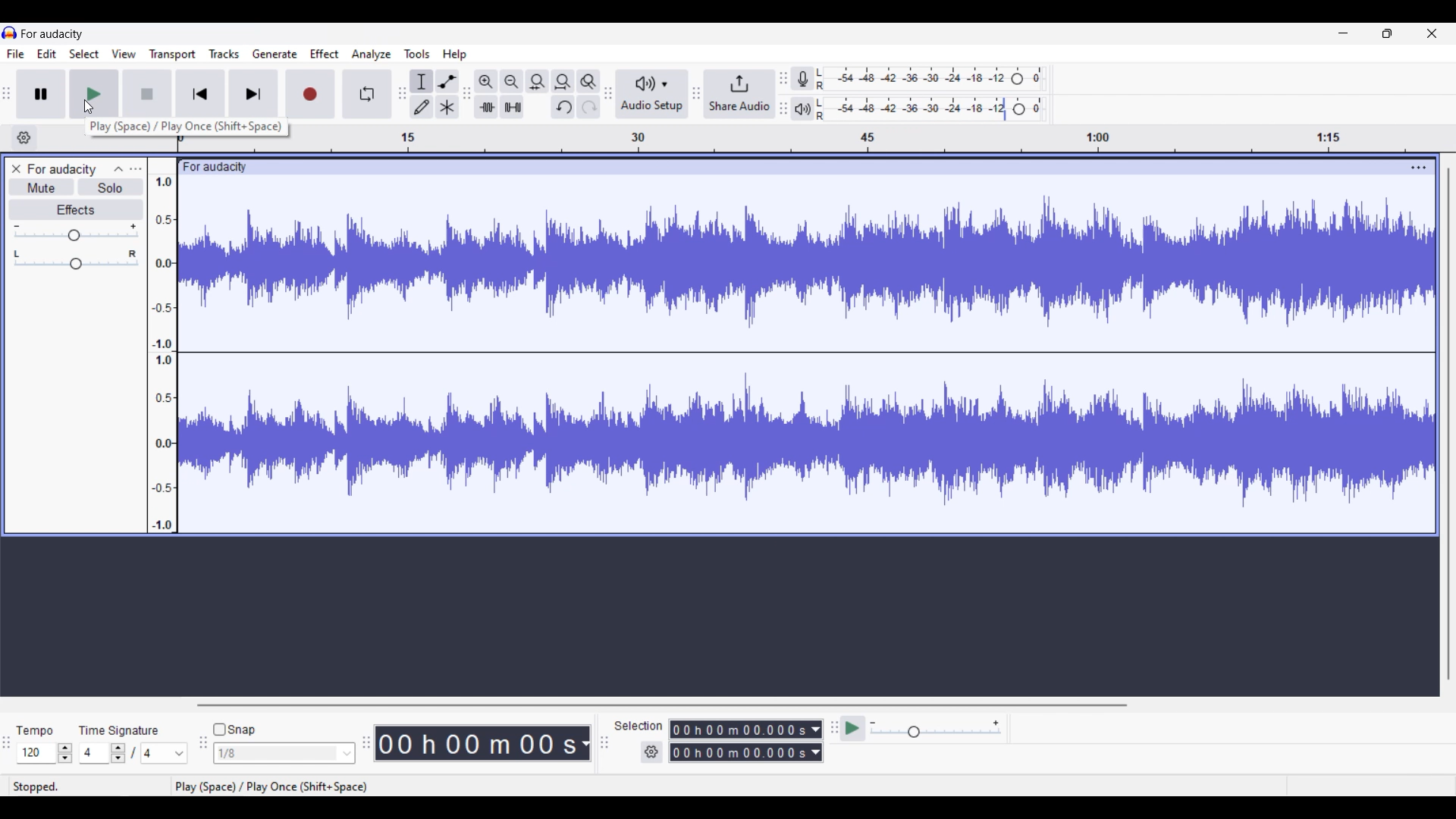 The height and width of the screenshot is (819, 1456). I want to click on Redo, so click(588, 107).